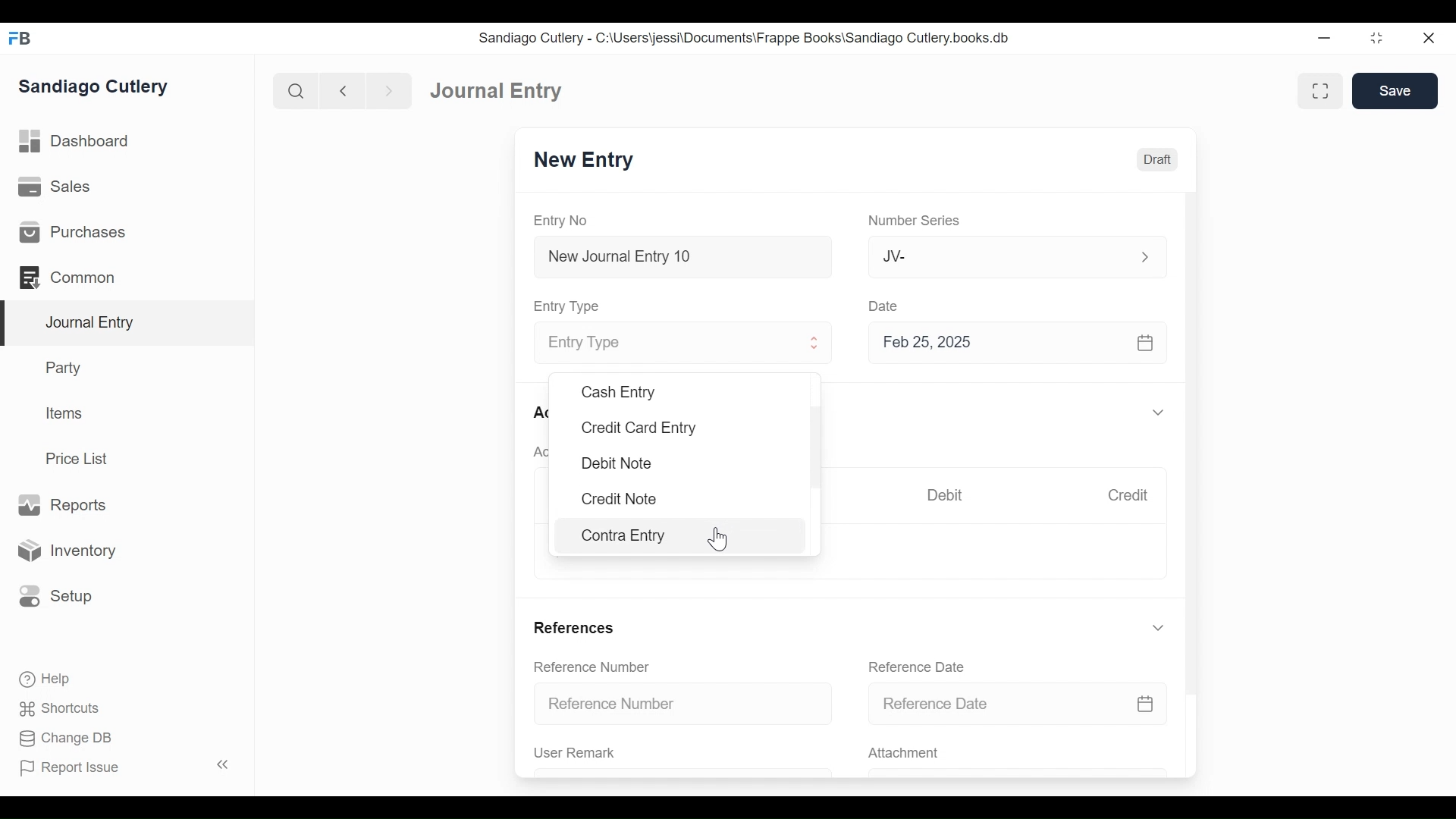 The height and width of the screenshot is (819, 1456). What do you see at coordinates (682, 256) in the screenshot?
I see `New Journal Entry 10` at bounding box center [682, 256].